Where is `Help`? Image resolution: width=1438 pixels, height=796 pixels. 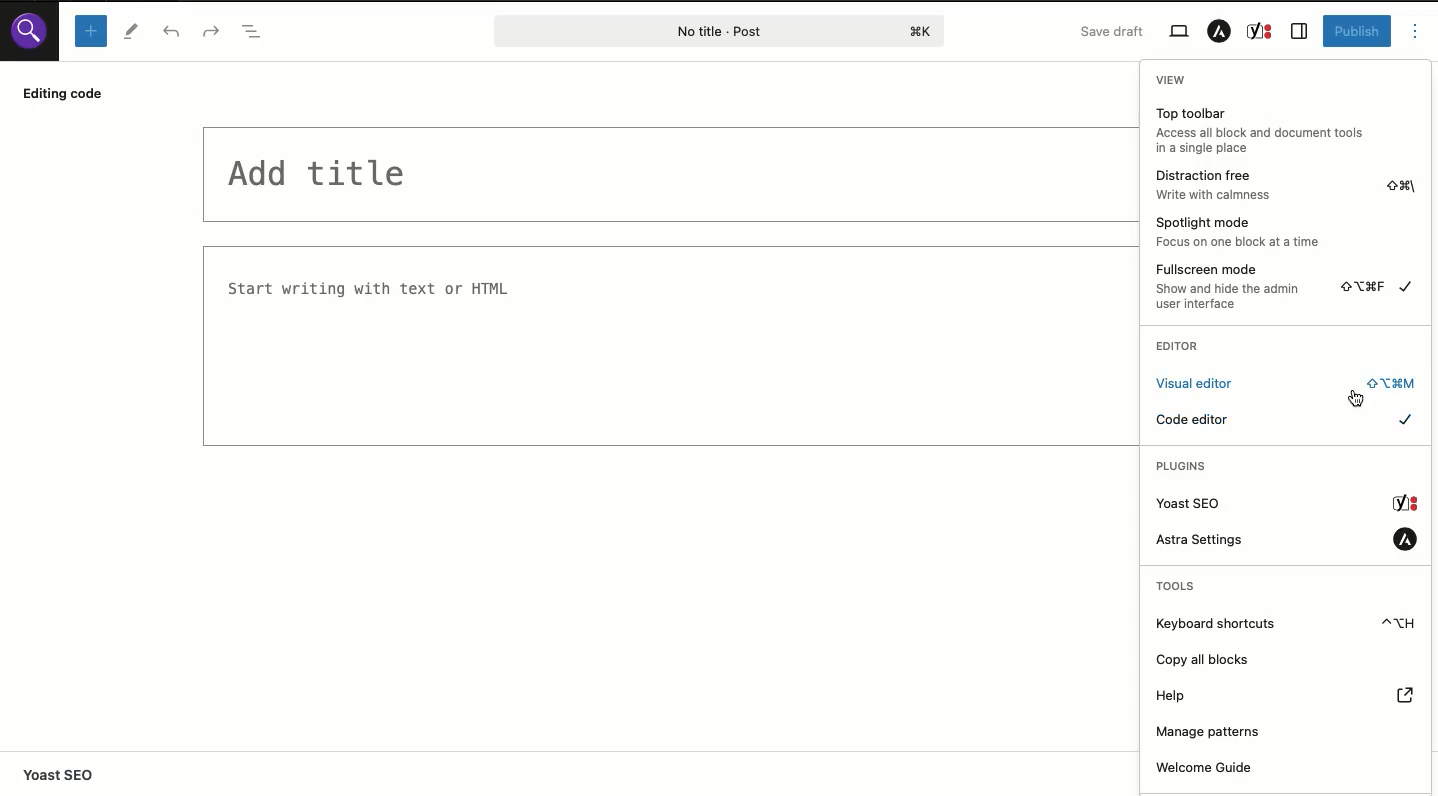 Help is located at coordinates (1285, 697).